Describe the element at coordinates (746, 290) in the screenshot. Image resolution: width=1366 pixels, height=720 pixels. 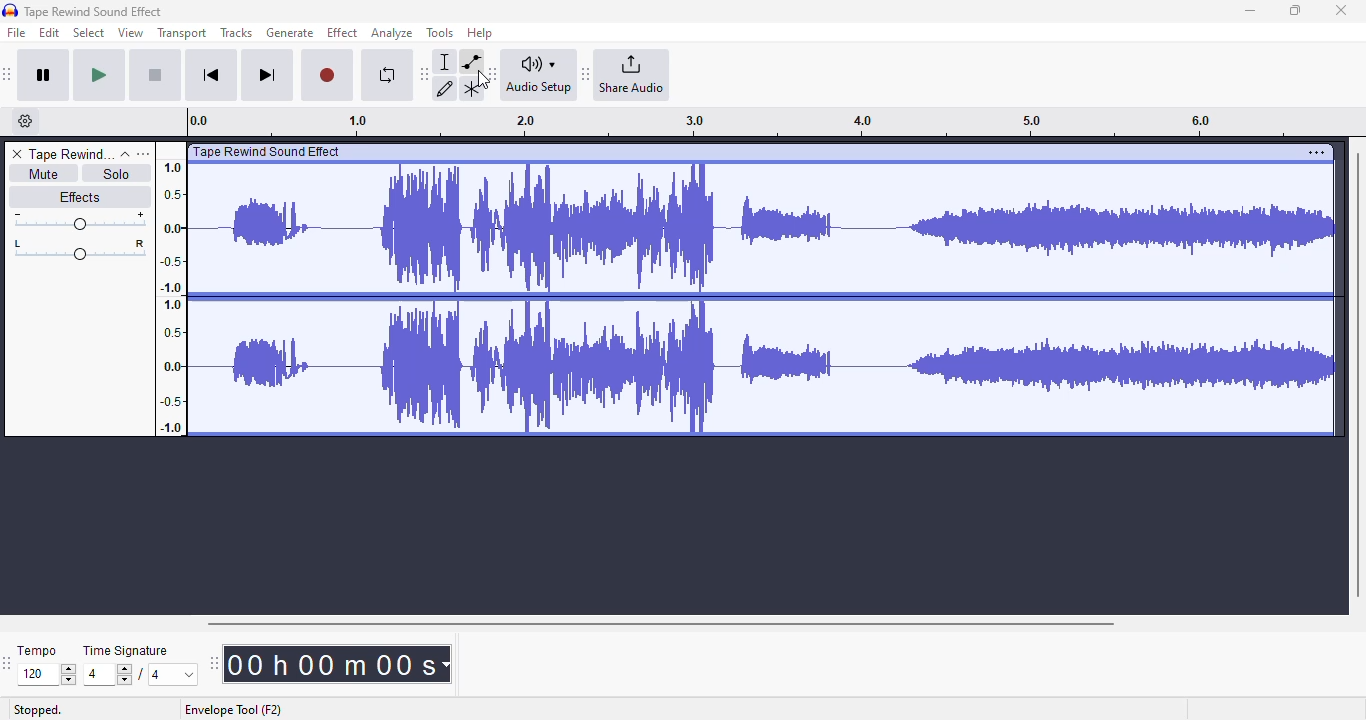
I see `audio track` at that location.